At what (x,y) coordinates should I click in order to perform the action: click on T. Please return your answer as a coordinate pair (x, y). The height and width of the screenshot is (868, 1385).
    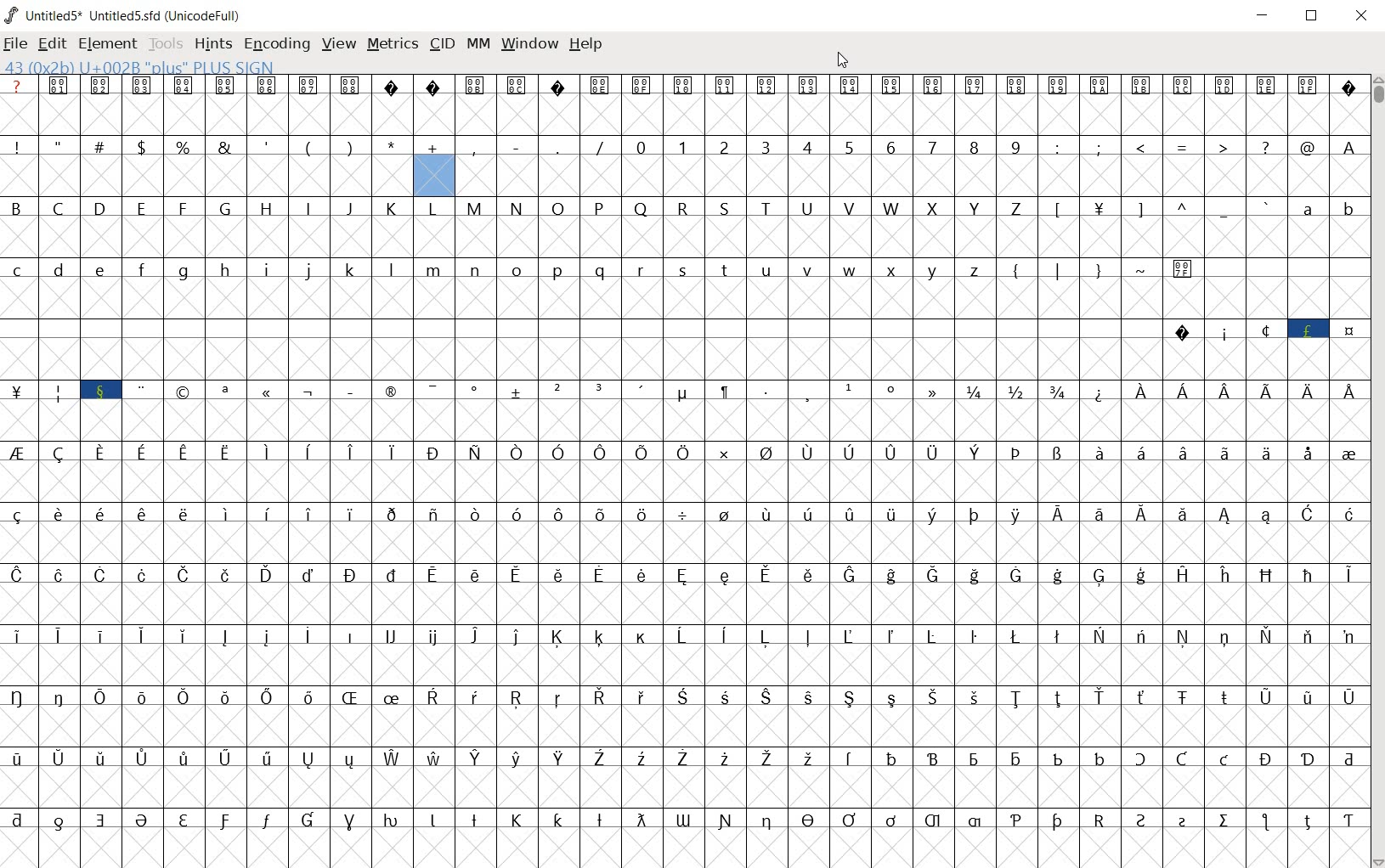
    Looking at the image, I should click on (1100, 228).